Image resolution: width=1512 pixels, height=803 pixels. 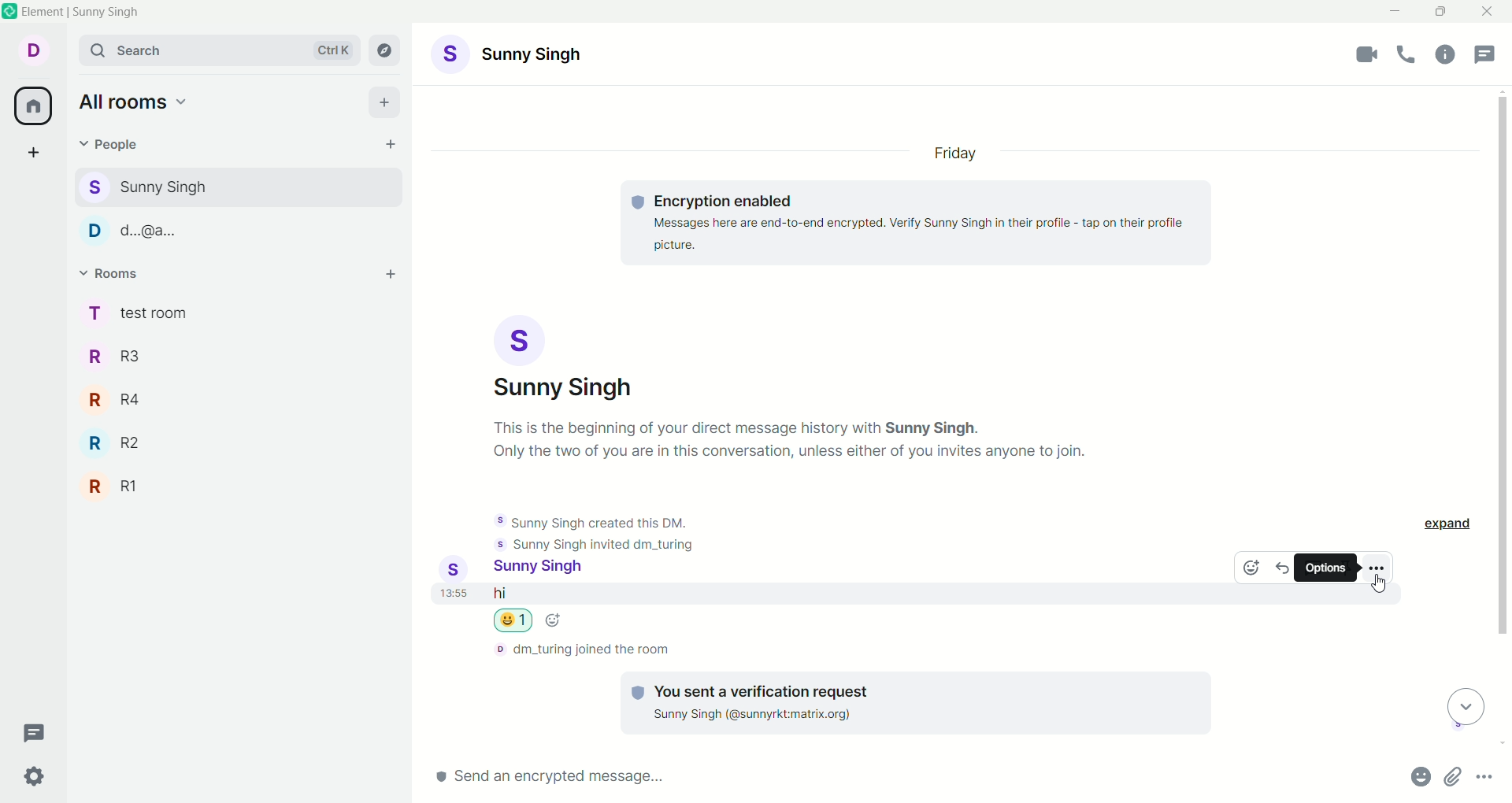 What do you see at coordinates (1397, 9) in the screenshot?
I see `minimize` at bounding box center [1397, 9].